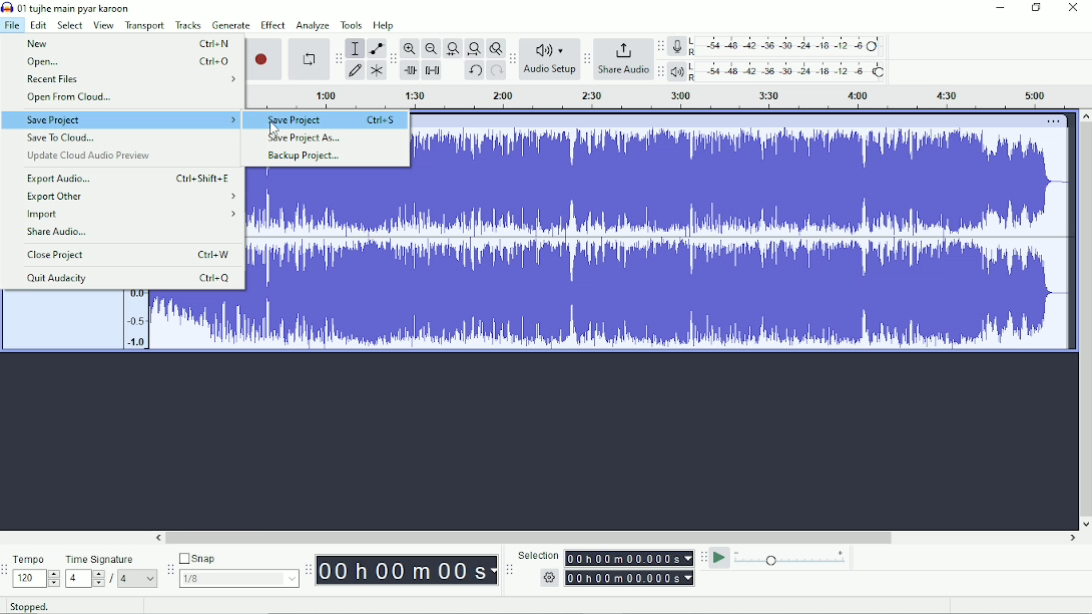  Describe the element at coordinates (37, 571) in the screenshot. I see `Tempo` at that location.